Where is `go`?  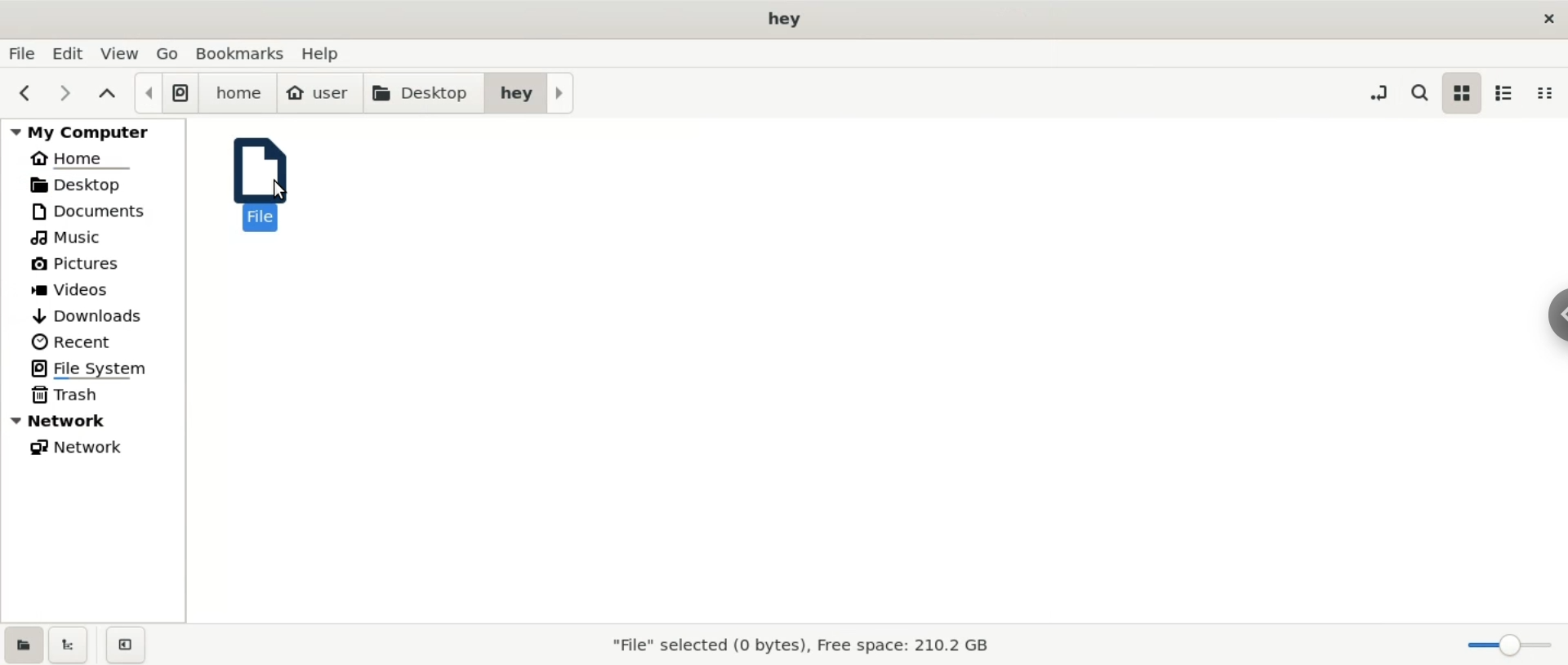
go is located at coordinates (169, 51).